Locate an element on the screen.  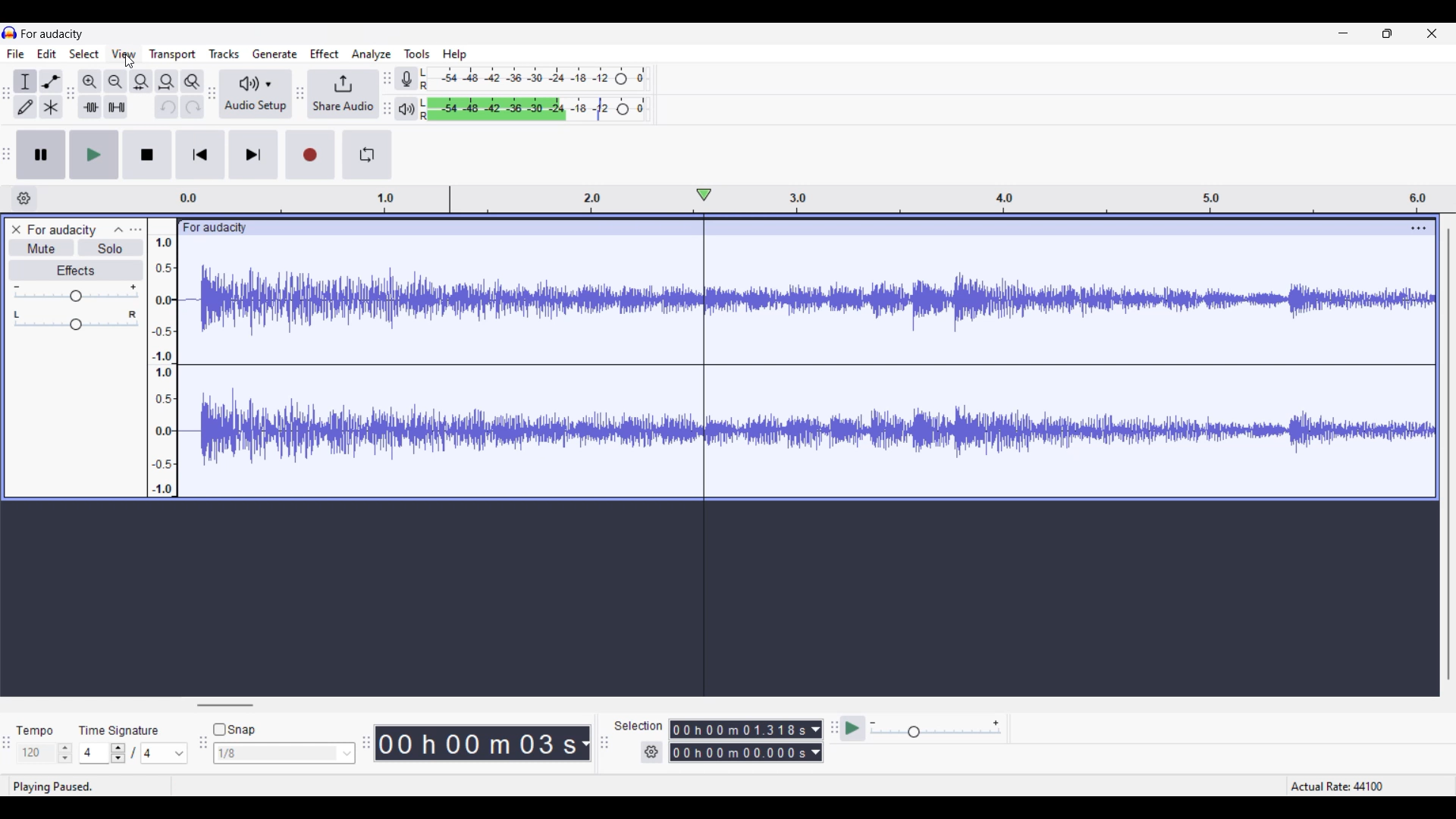
Snap toggle is located at coordinates (234, 729).